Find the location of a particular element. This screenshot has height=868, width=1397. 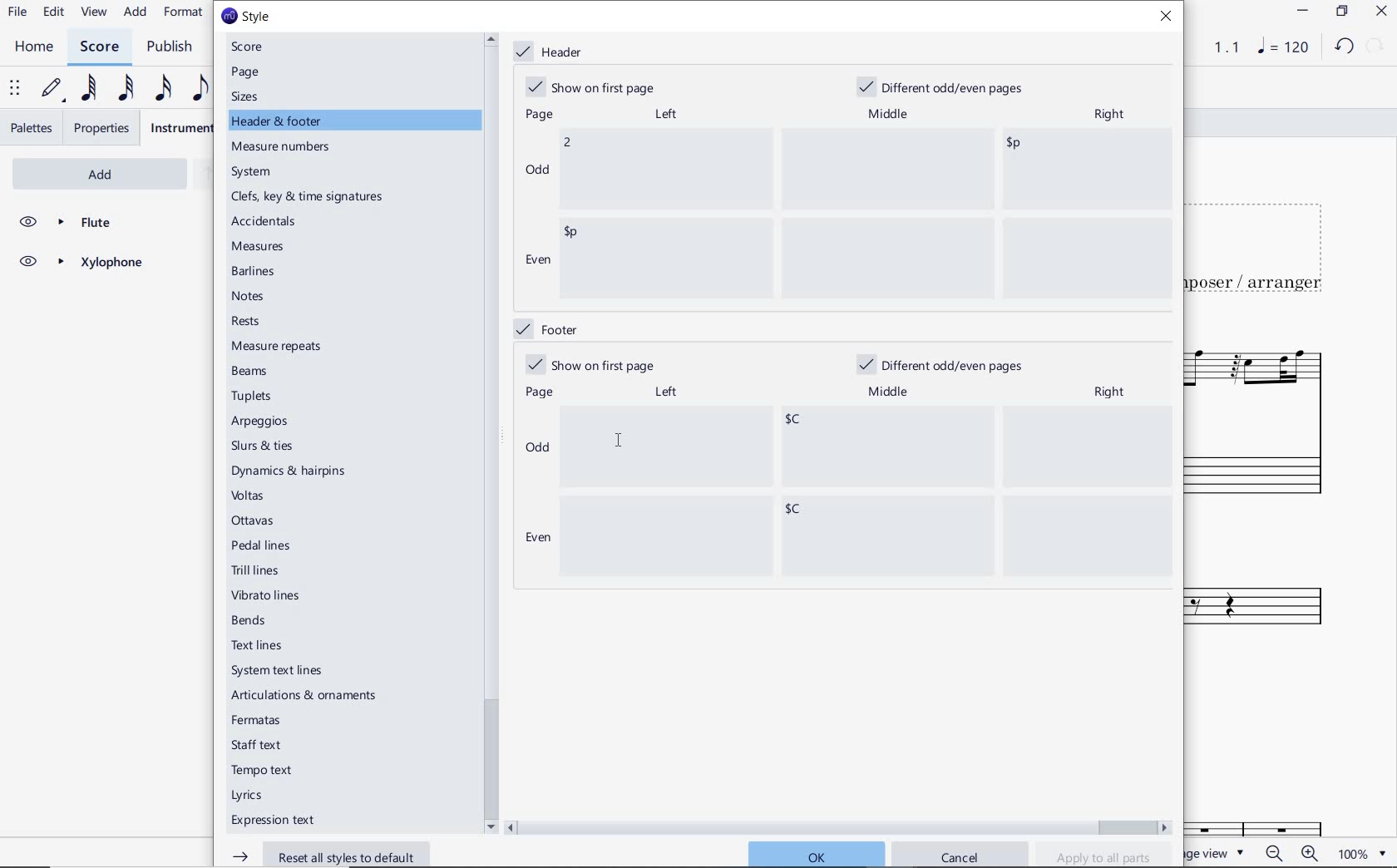

clefs, key & time signatures is located at coordinates (311, 197).